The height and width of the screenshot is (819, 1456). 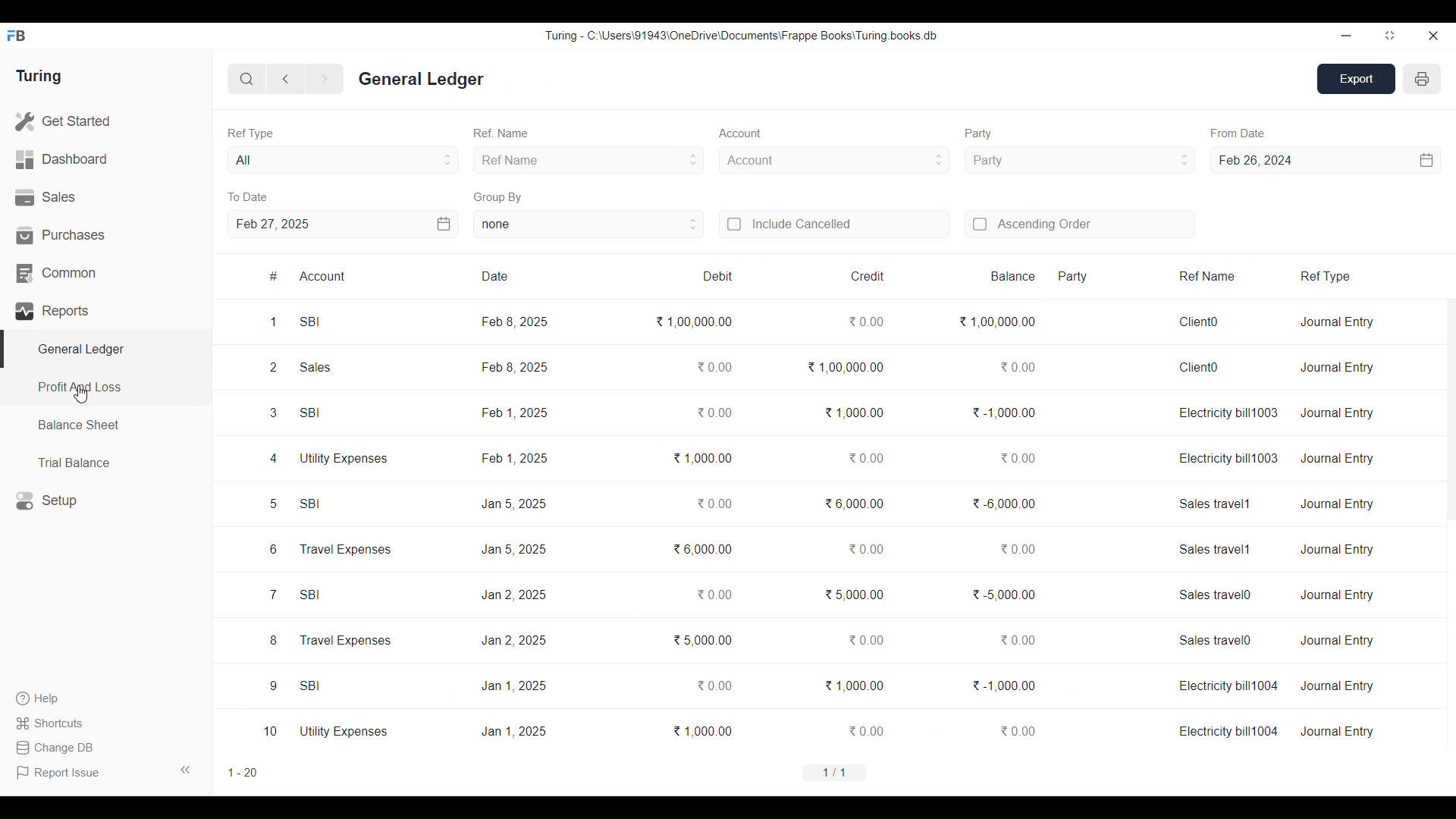 What do you see at coordinates (328, 458) in the screenshot?
I see `4 Utility Expenses` at bounding box center [328, 458].